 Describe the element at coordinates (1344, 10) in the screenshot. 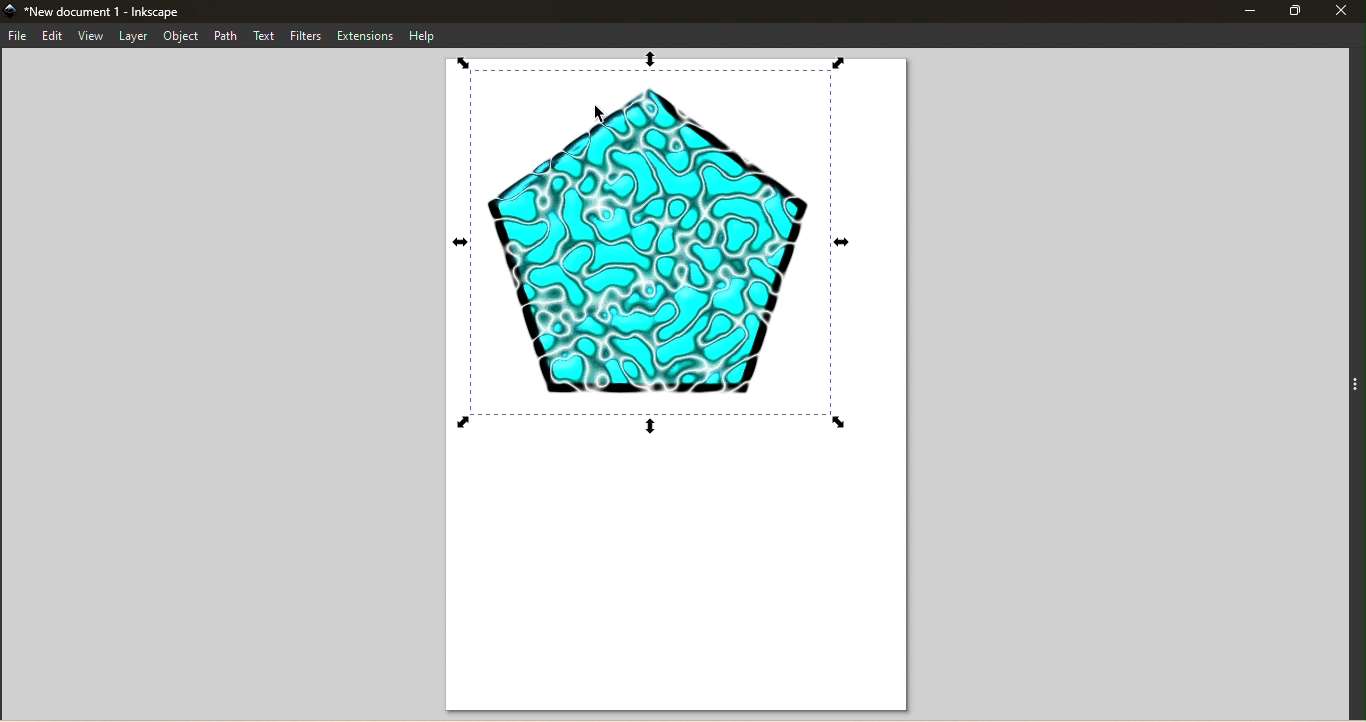

I see `Close` at that location.